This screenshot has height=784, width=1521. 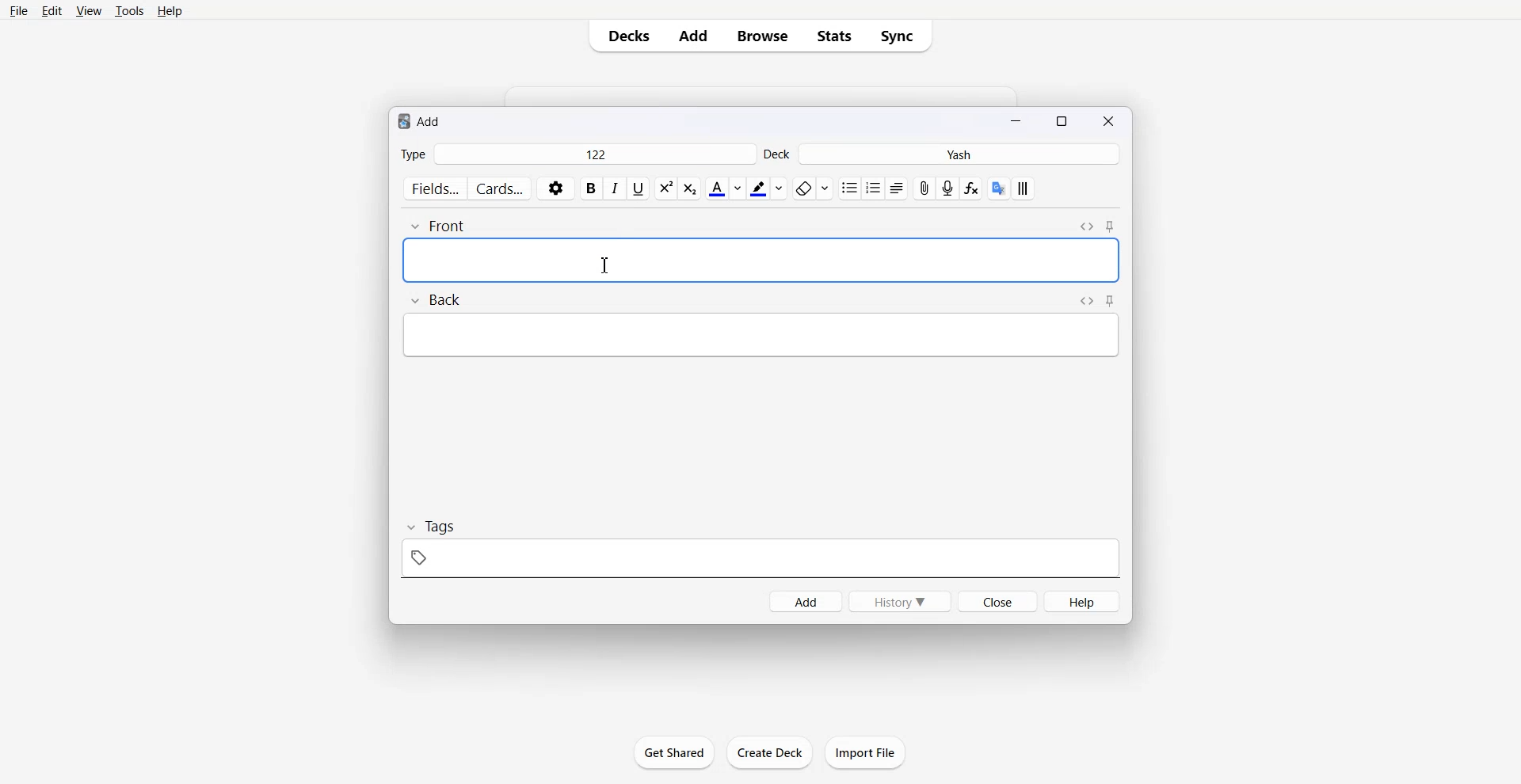 What do you see at coordinates (763, 36) in the screenshot?
I see `Browse` at bounding box center [763, 36].